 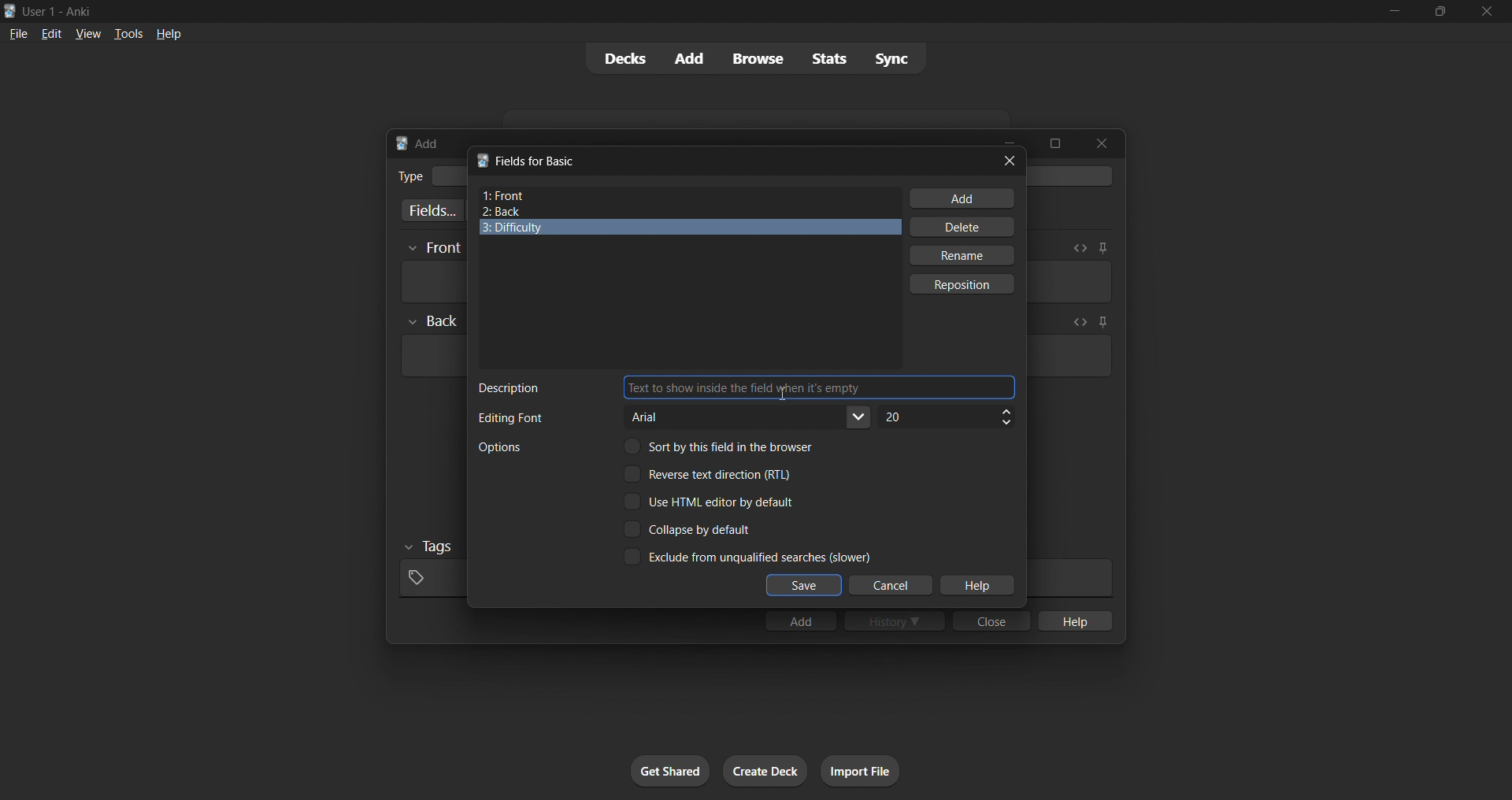 What do you see at coordinates (690, 529) in the screenshot?
I see `Toggle` at bounding box center [690, 529].